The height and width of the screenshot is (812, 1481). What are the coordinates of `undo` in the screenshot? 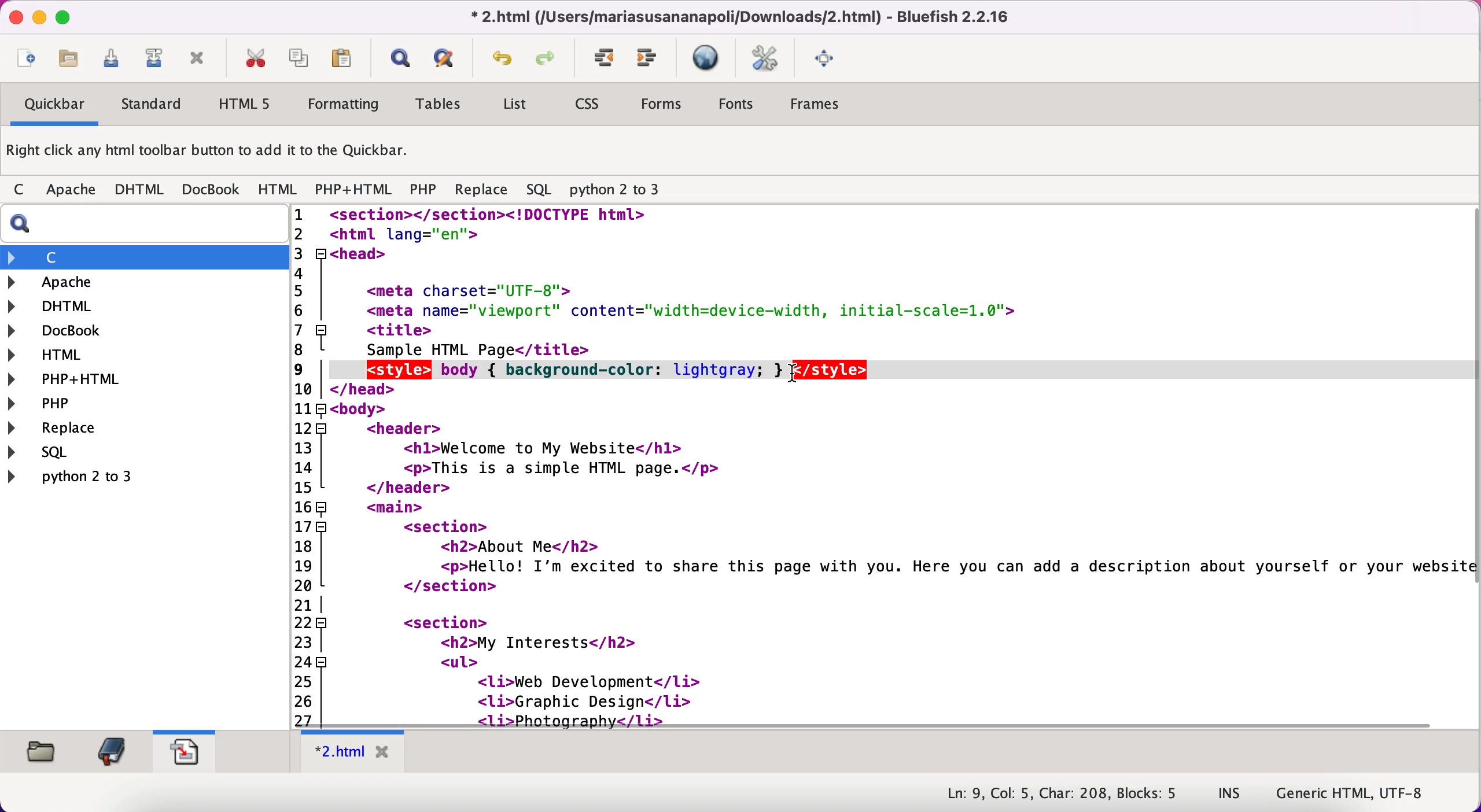 It's located at (503, 61).